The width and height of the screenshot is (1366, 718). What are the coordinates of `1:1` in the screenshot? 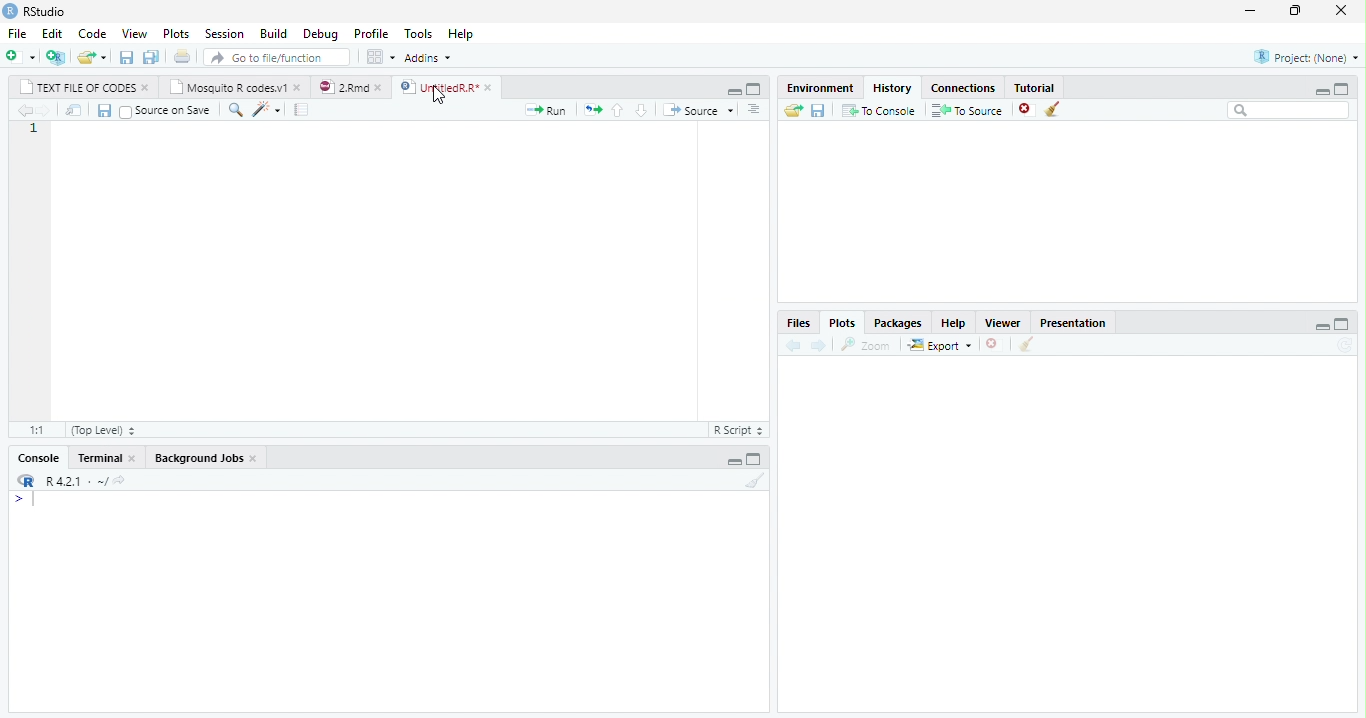 It's located at (25, 429).